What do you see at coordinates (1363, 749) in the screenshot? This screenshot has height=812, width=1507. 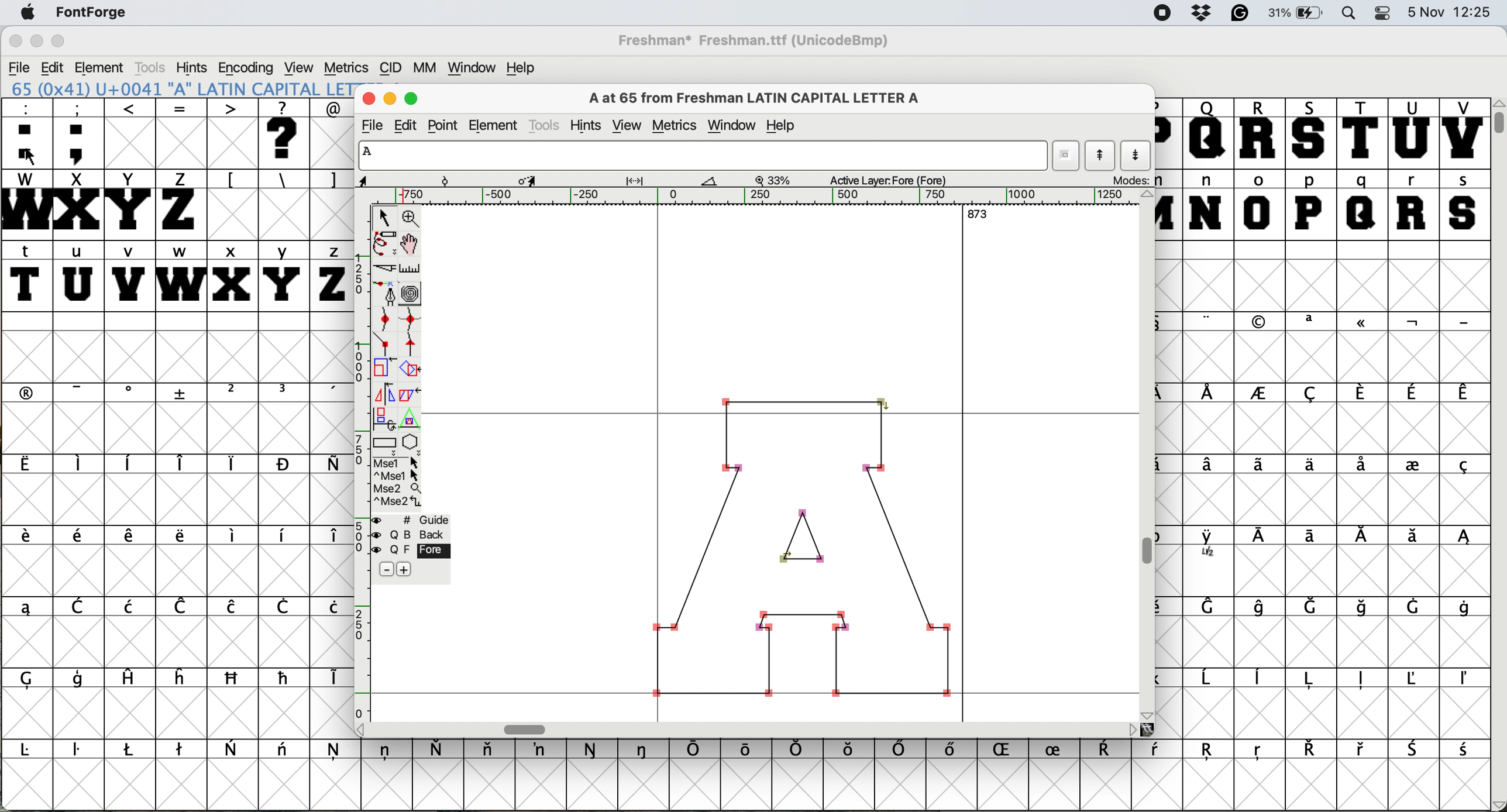 I see `symbol` at bounding box center [1363, 749].